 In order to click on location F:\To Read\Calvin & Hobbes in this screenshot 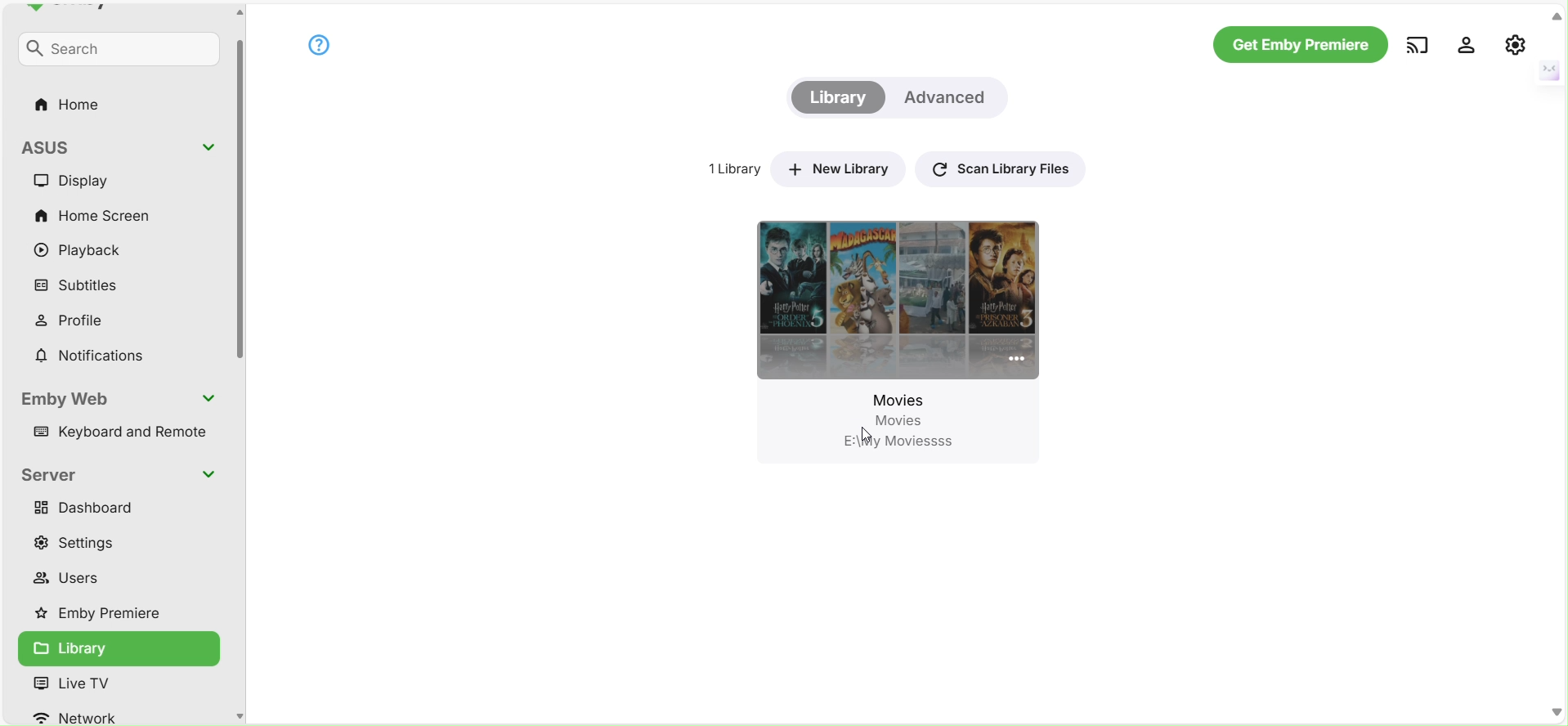, I will do `click(884, 533)`.